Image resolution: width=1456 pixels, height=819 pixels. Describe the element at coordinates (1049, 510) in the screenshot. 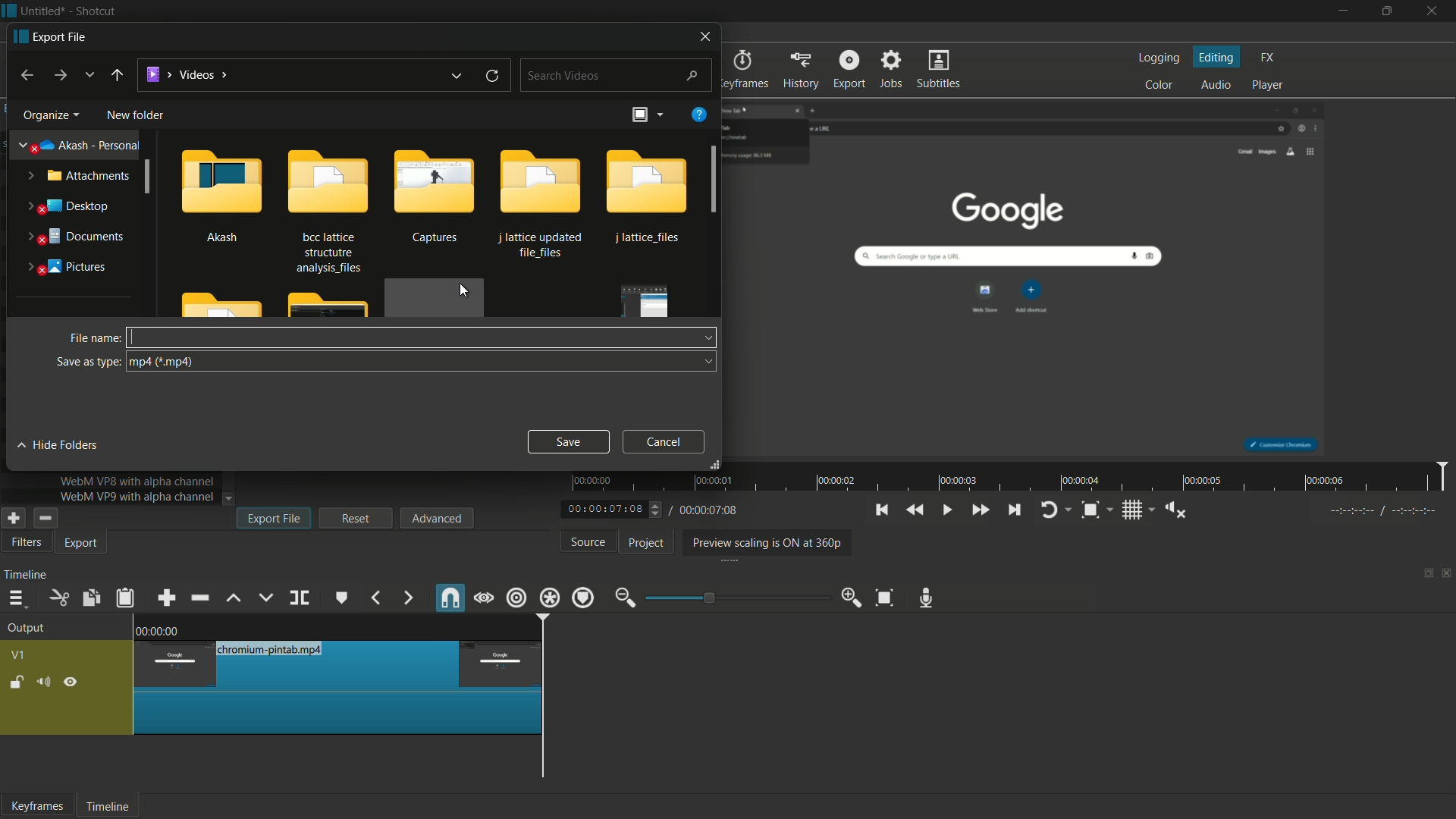

I see `toggle player looping` at that location.